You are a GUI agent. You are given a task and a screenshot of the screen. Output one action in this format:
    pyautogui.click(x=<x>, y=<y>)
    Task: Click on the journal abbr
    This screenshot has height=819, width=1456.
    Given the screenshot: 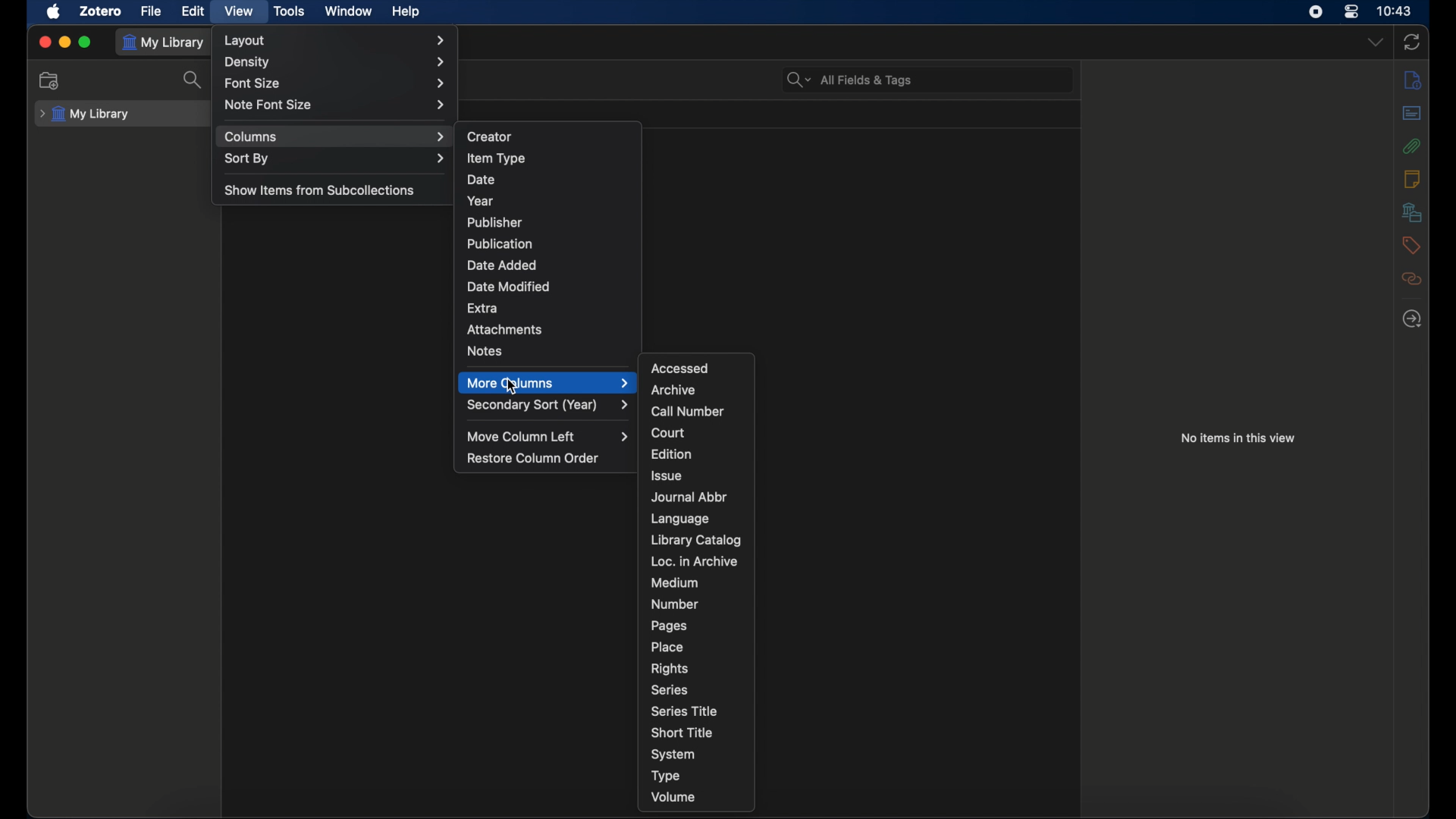 What is the action you would take?
    pyautogui.click(x=692, y=497)
    